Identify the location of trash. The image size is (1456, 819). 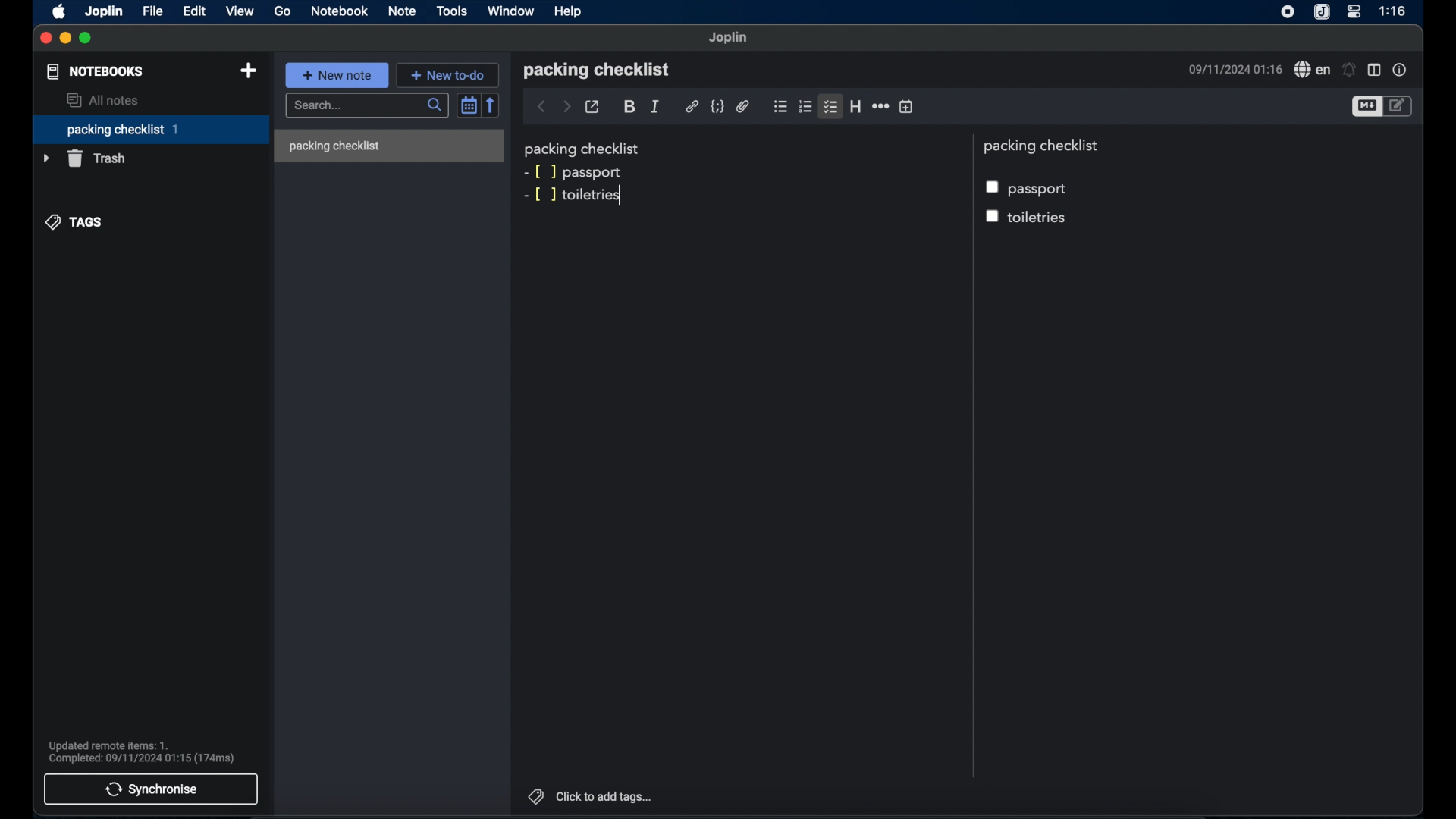
(86, 158).